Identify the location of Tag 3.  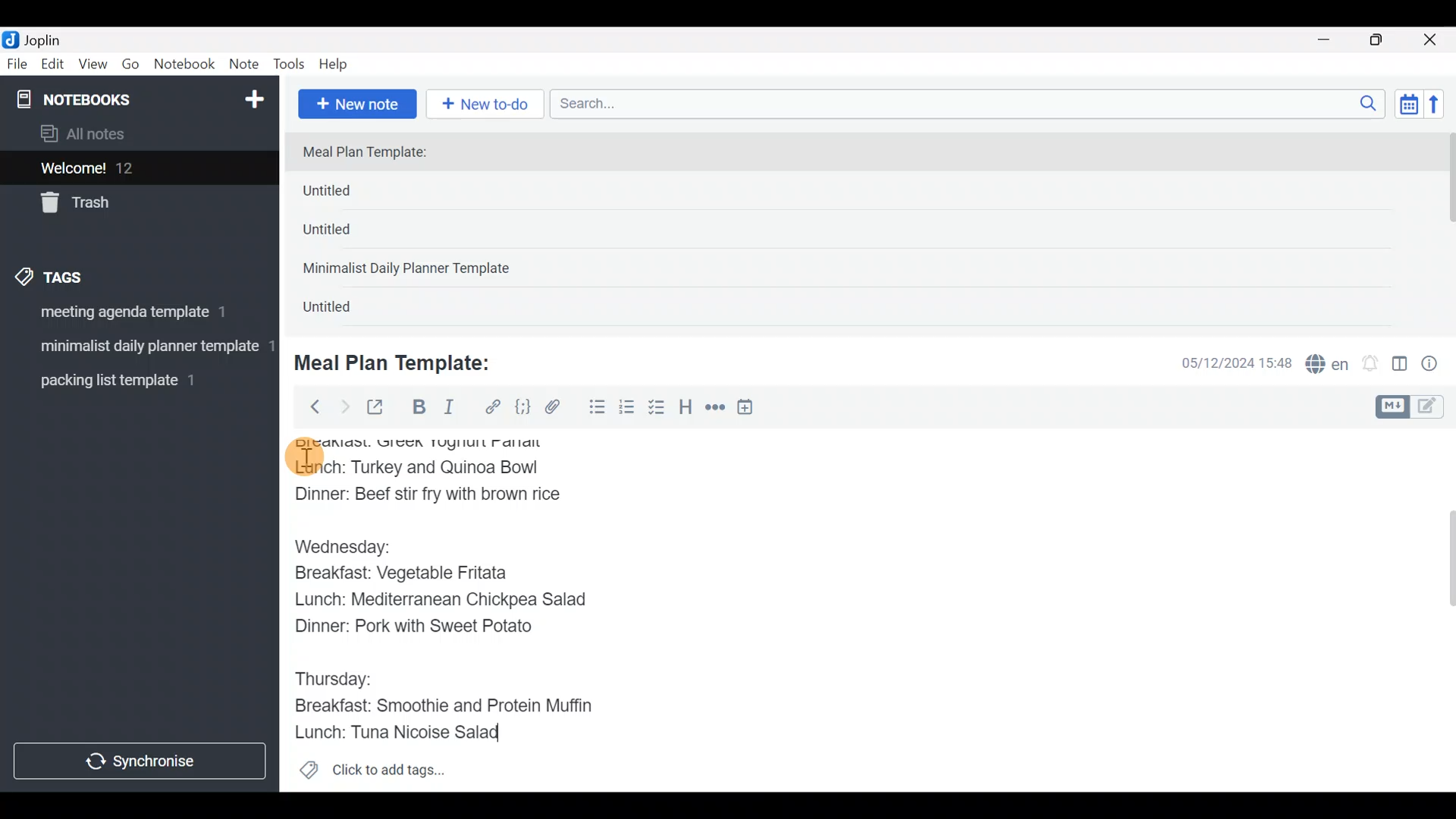
(134, 380).